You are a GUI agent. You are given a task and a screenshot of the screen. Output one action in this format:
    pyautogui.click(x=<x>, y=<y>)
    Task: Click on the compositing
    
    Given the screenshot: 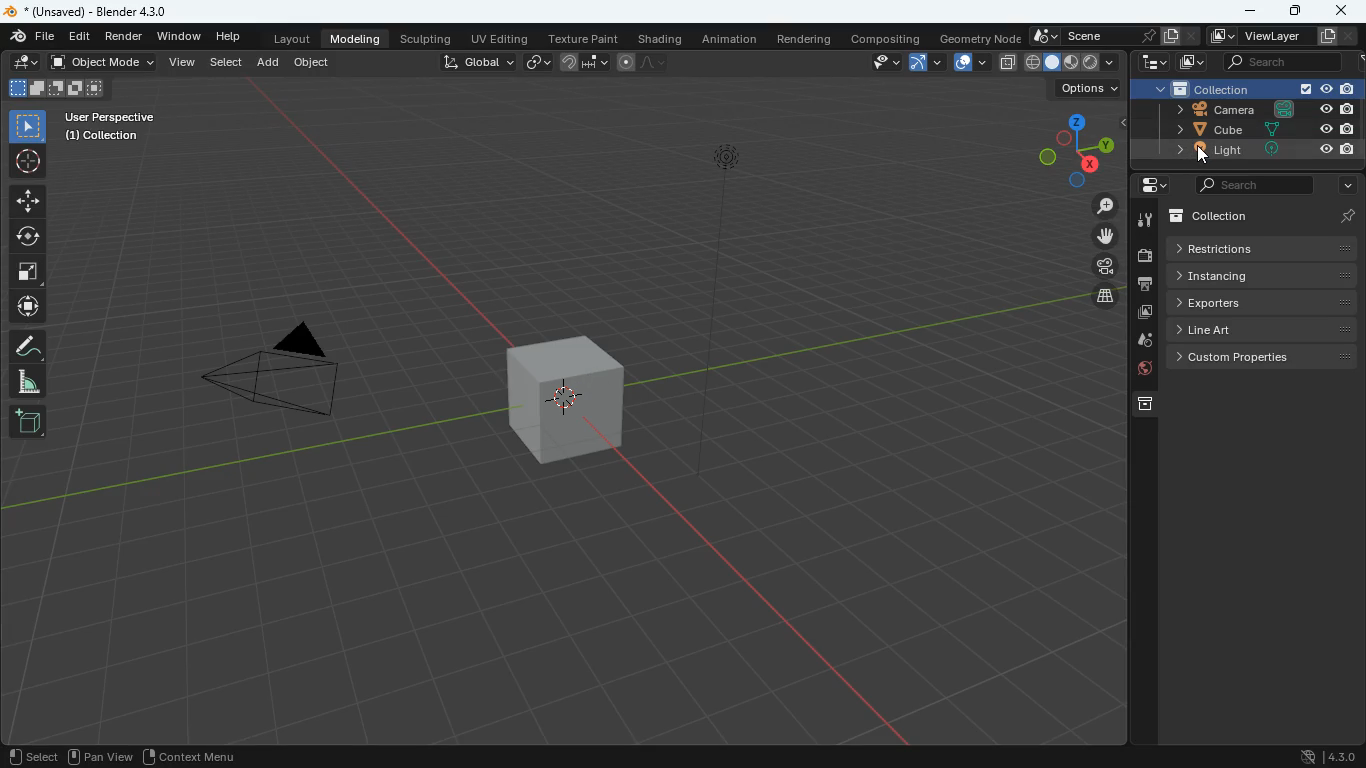 What is the action you would take?
    pyautogui.click(x=884, y=37)
    